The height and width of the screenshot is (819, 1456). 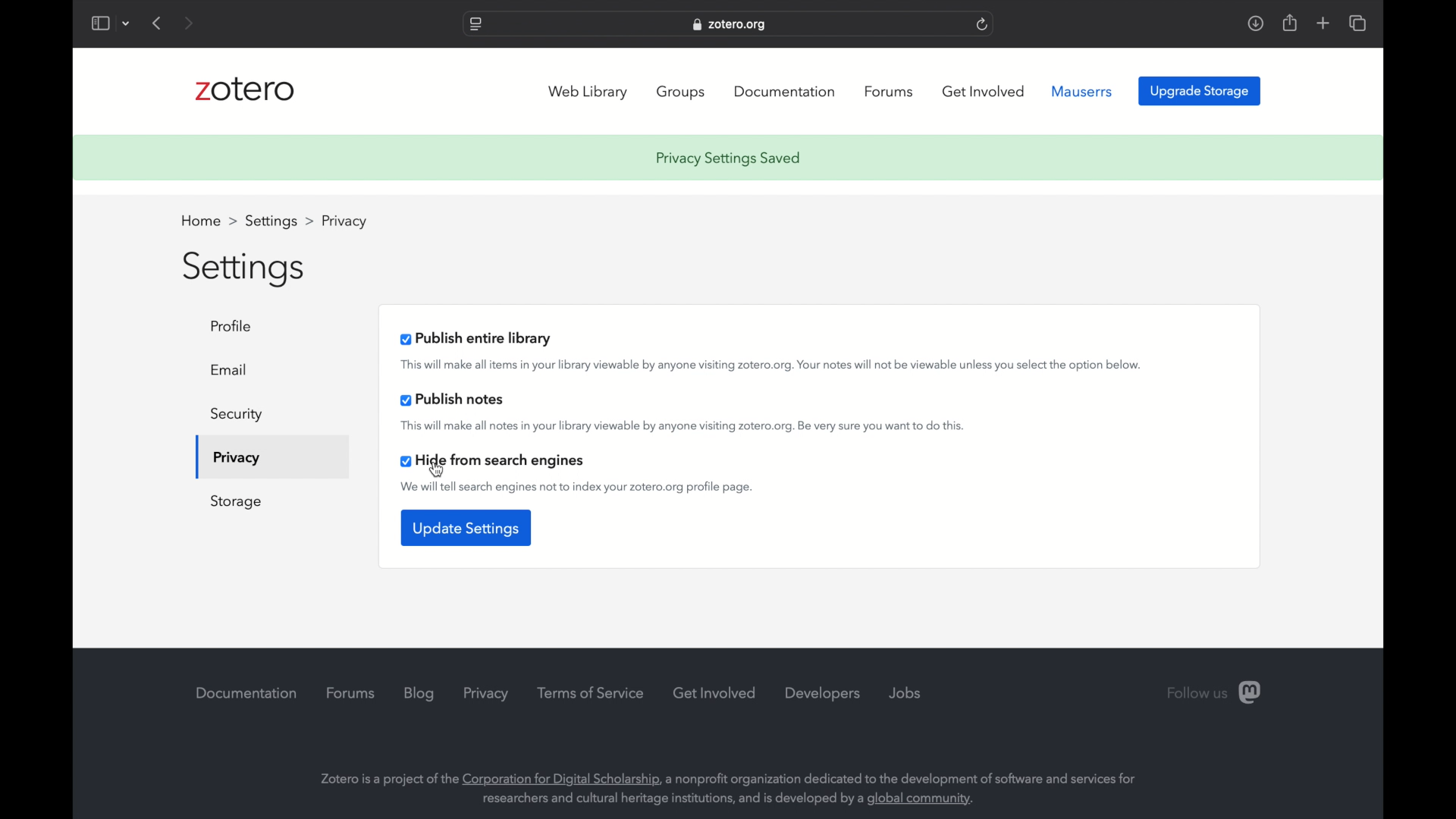 What do you see at coordinates (235, 501) in the screenshot?
I see `storage` at bounding box center [235, 501].